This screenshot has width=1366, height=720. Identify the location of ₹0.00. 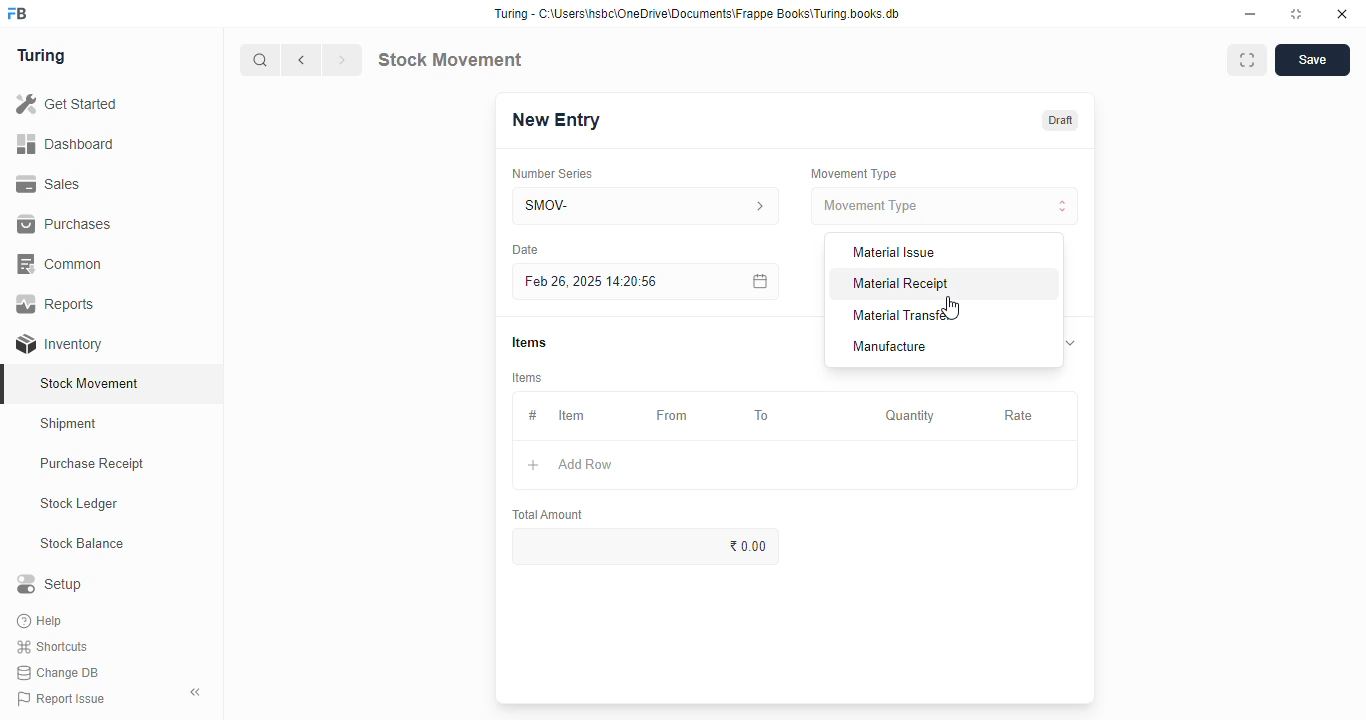
(647, 546).